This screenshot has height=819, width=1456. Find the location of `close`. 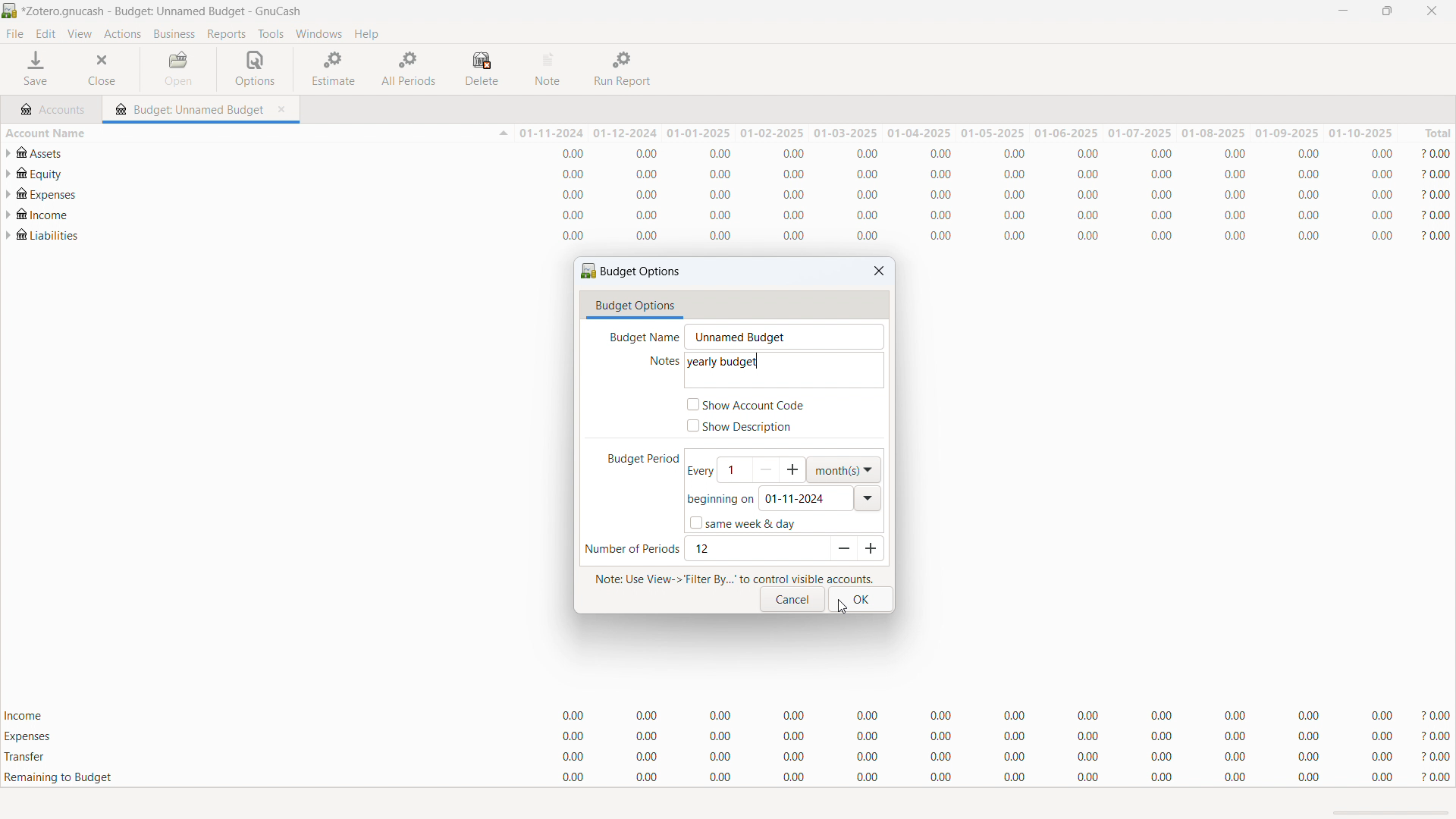

close is located at coordinates (1431, 11).